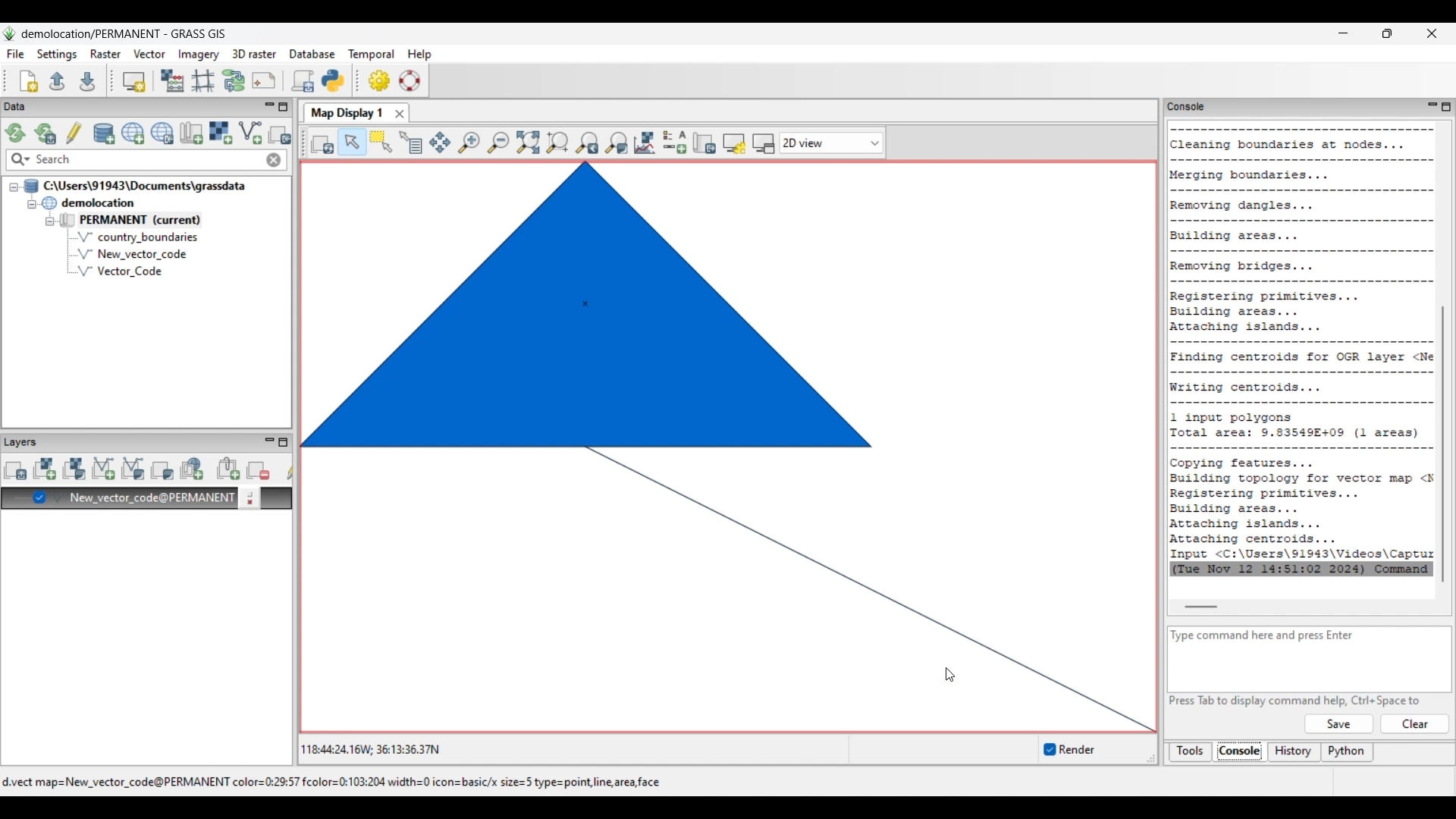  I want to click on Save current workspace to file, so click(87, 80).